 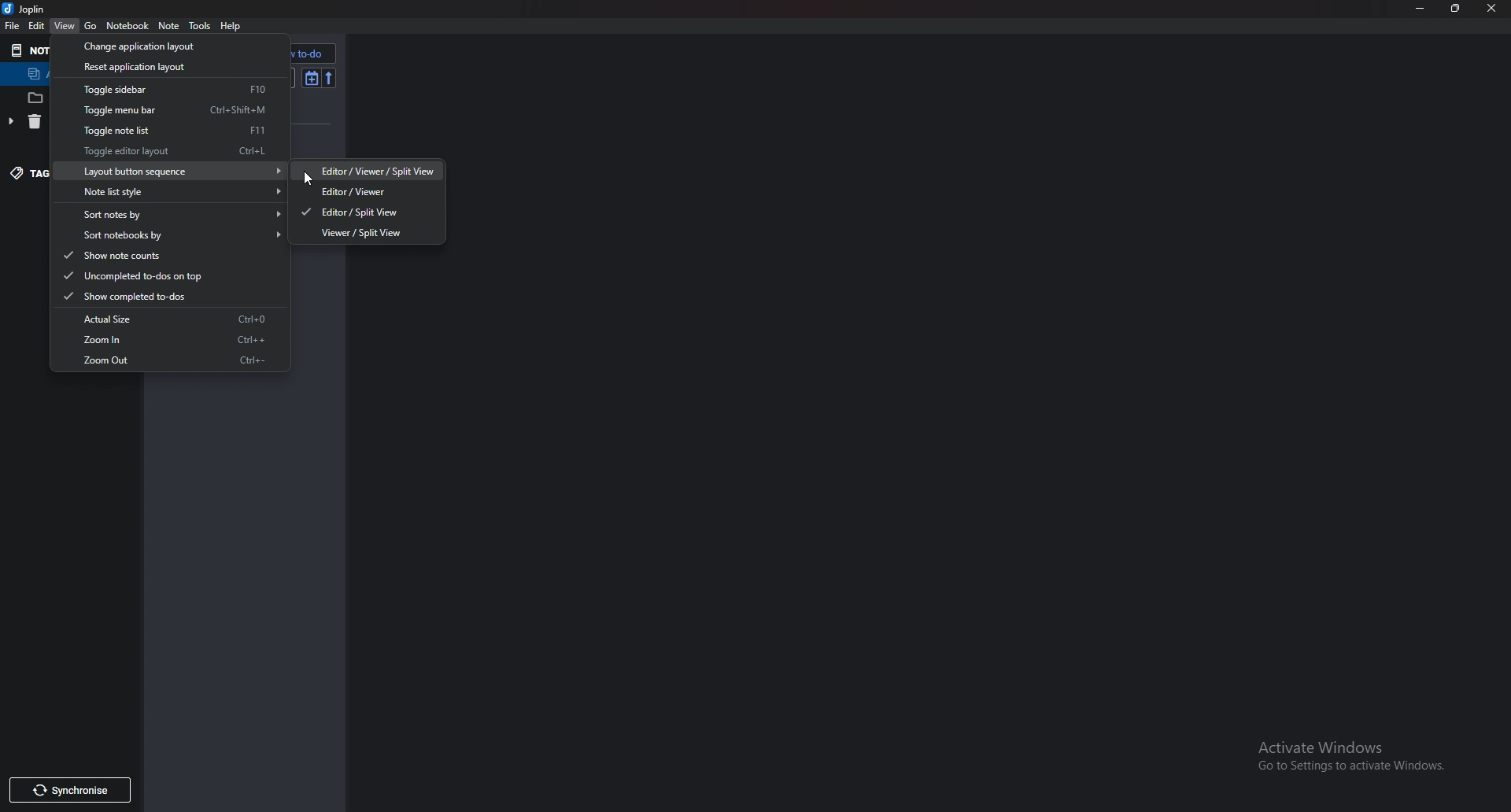 I want to click on View, so click(x=65, y=26).